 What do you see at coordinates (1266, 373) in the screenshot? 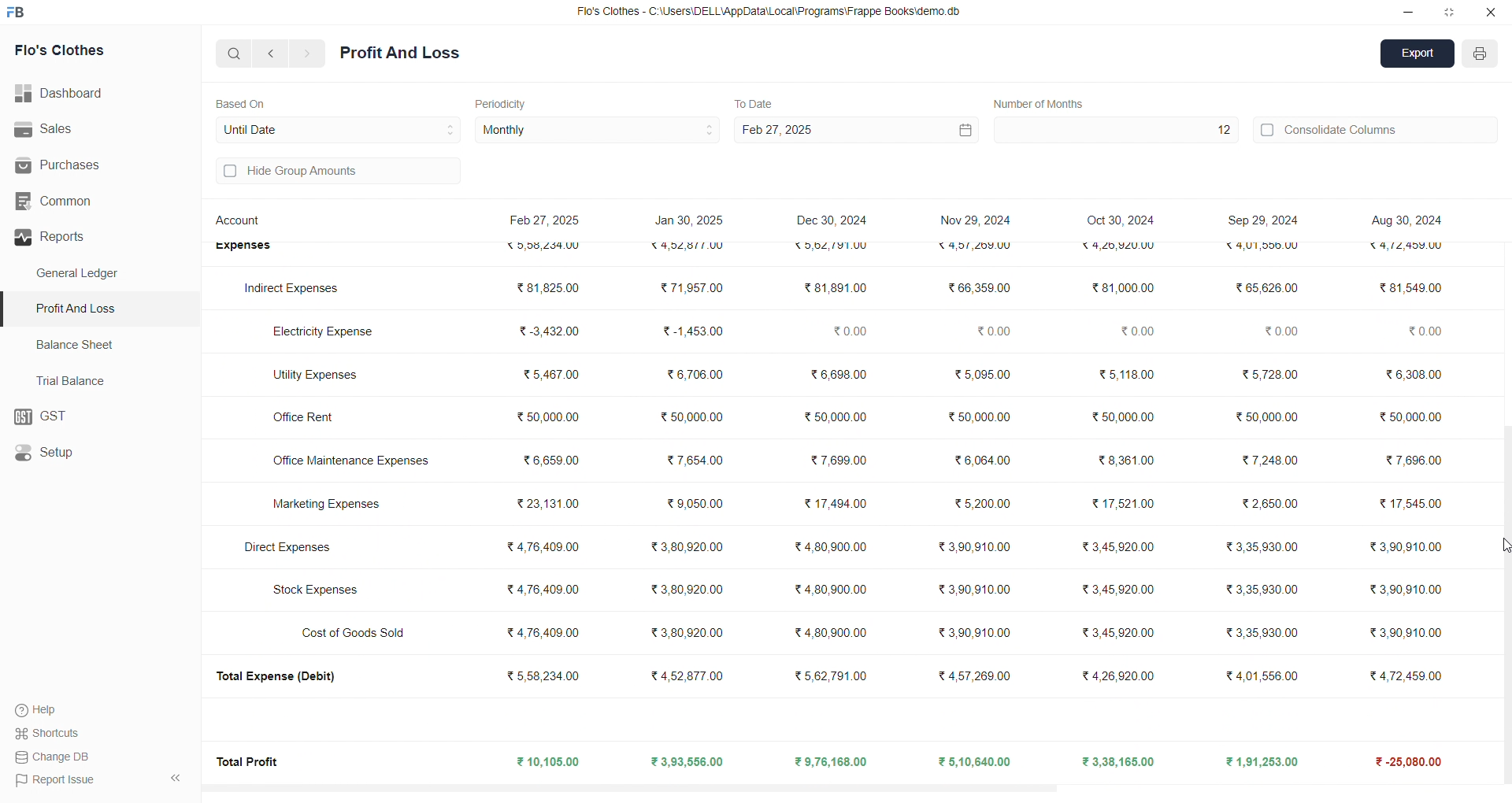
I see `₹ 5,728.00` at bounding box center [1266, 373].